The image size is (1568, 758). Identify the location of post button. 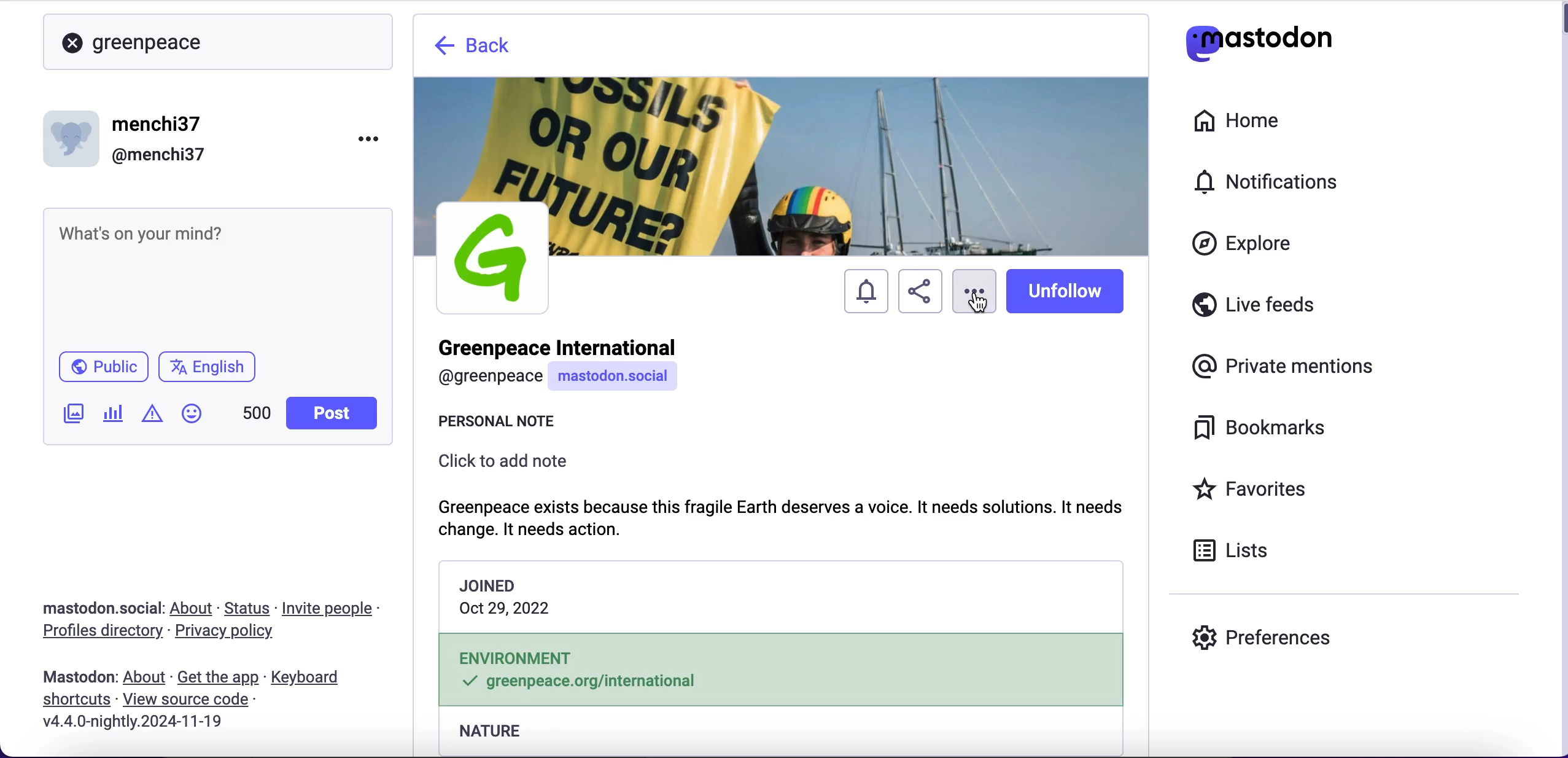
(335, 413).